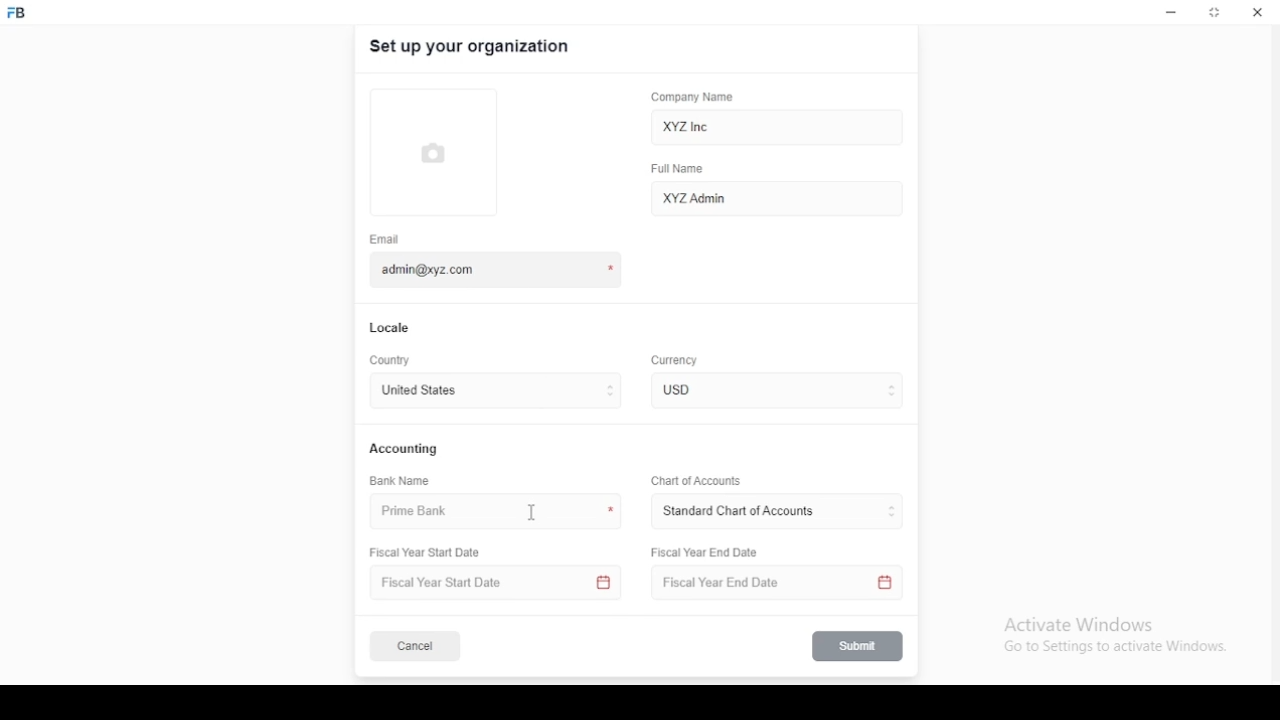  I want to click on logo tumbnail, so click(445, 155).